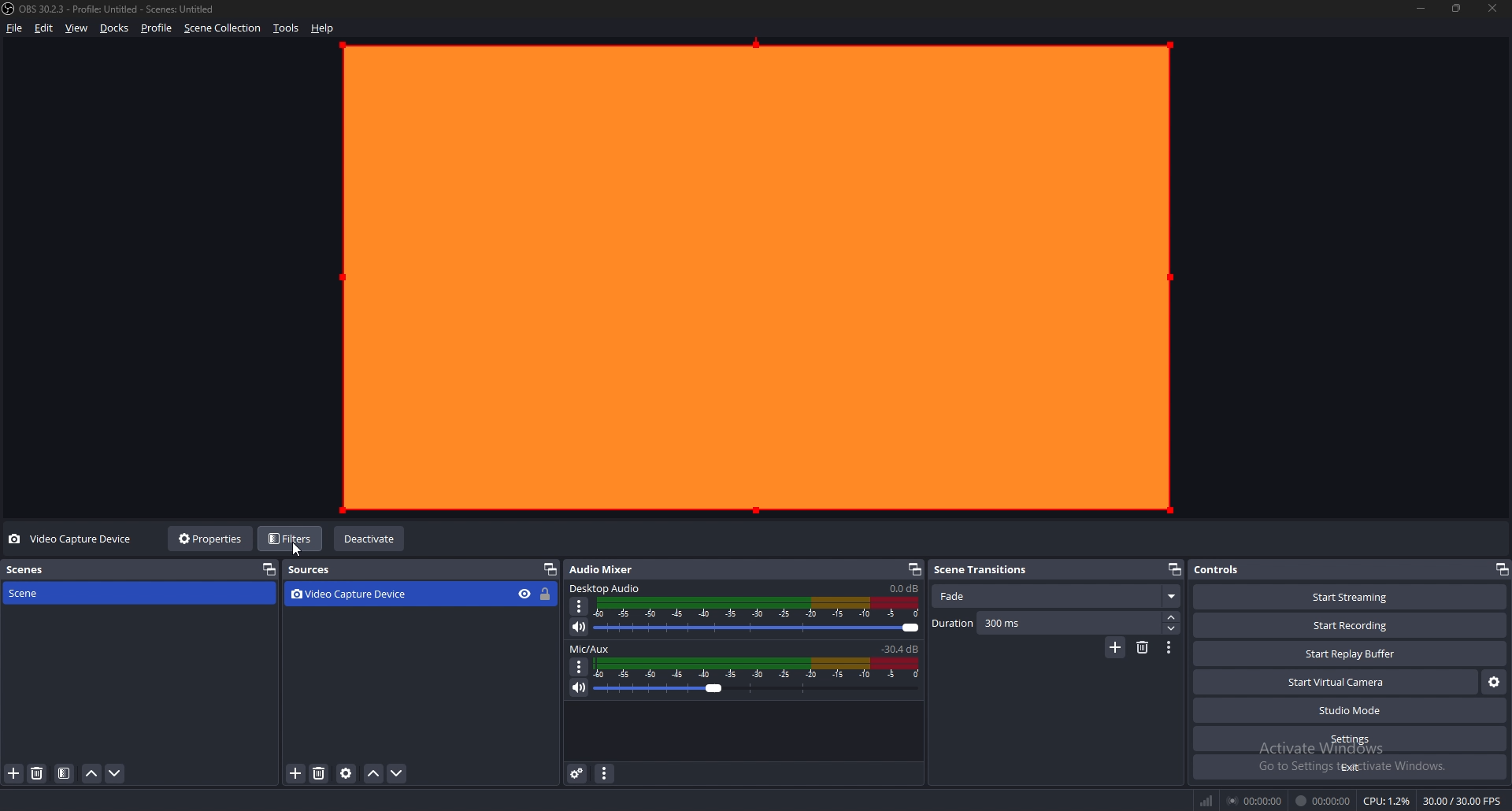 This screenshot has height=811, width=1512. What do you see at coordinates (157, 28) in the screenshot?
I see `profile` at bounding box center [157, 28].